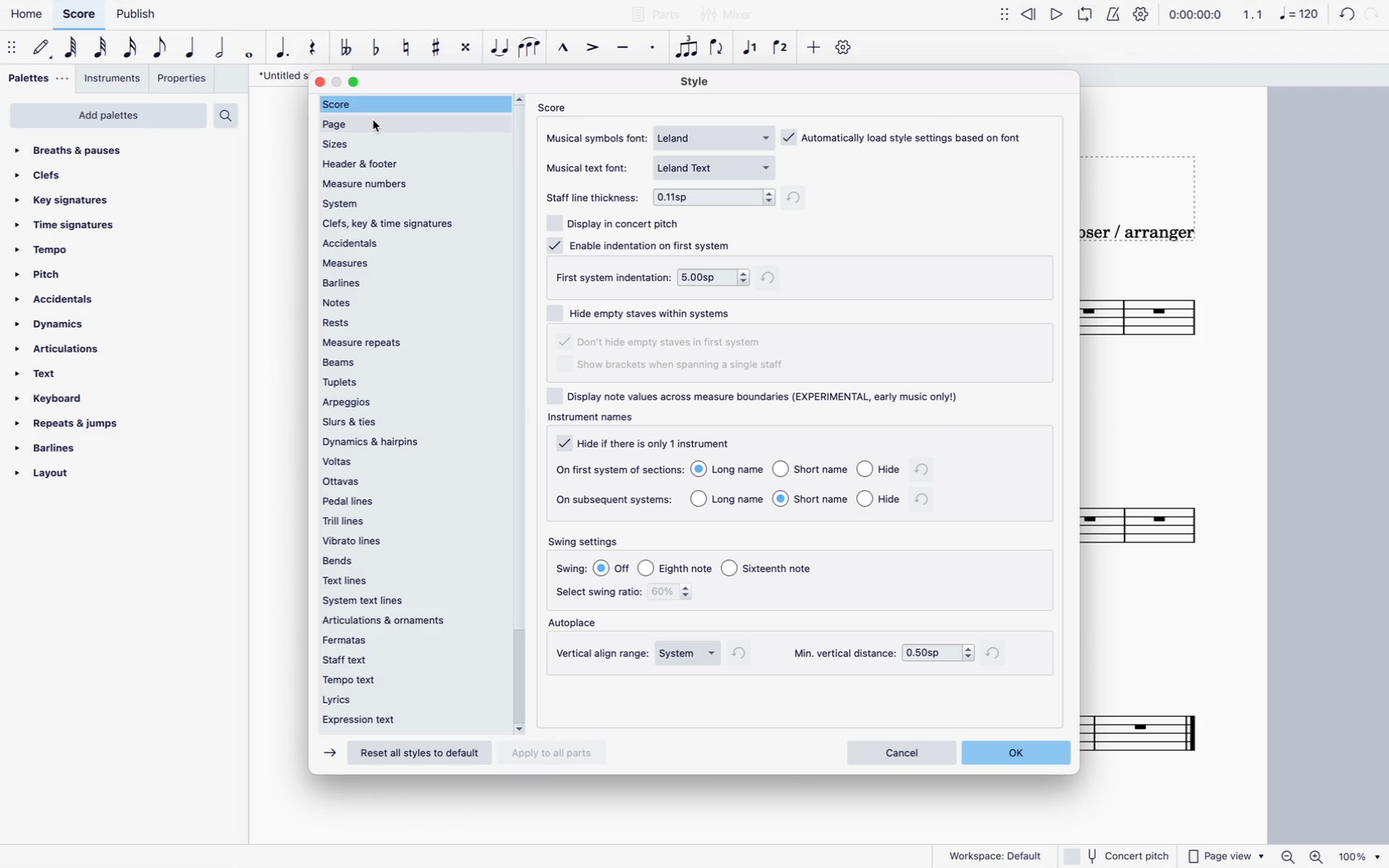 The width and height of the screenshot is (1389, 868). Describe the element at coordinates (1028, 18) in the screenshot. I see `rewind` at that location.